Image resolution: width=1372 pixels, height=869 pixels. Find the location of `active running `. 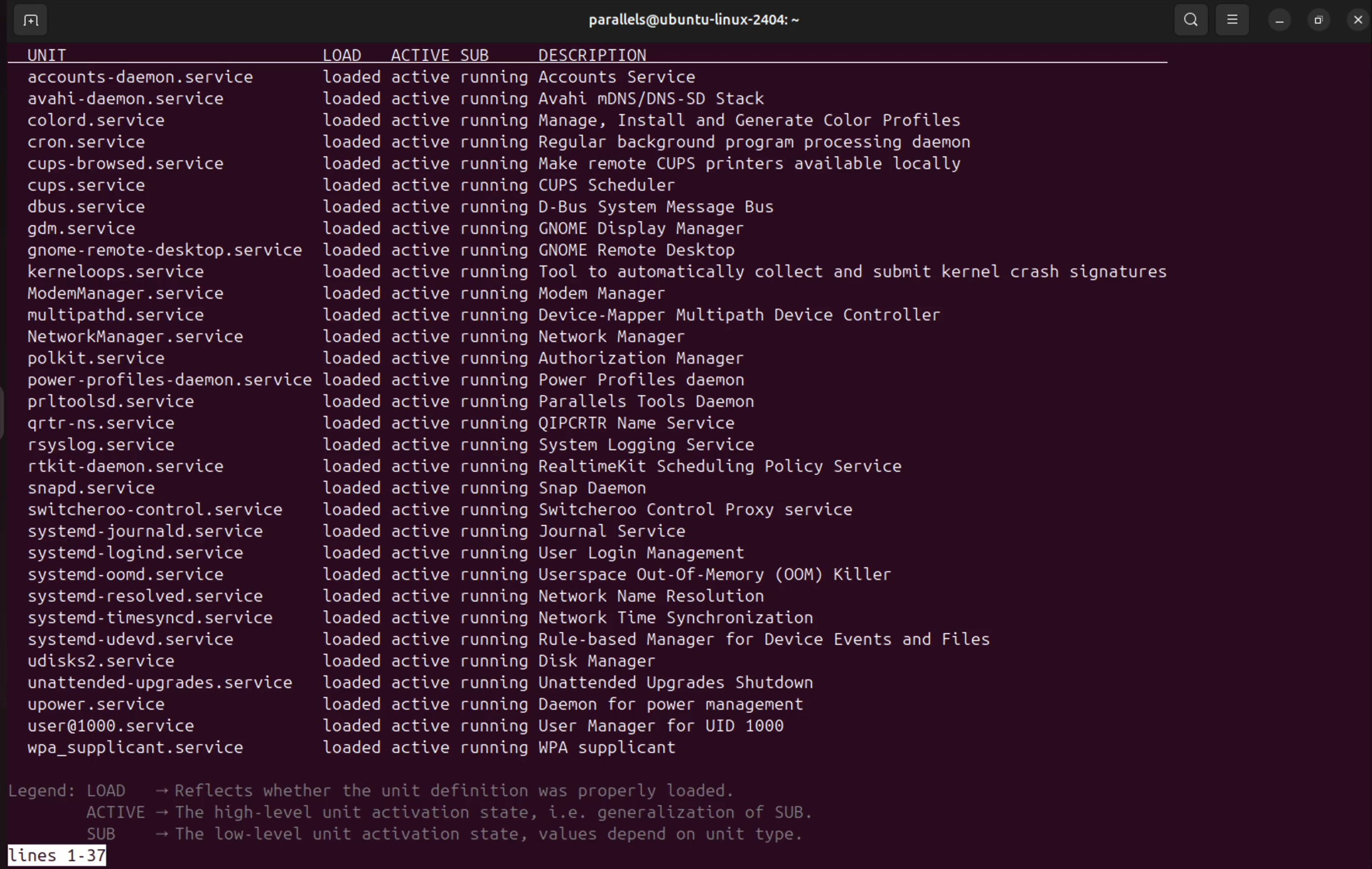

active running  is located at coordinates (525, 492).